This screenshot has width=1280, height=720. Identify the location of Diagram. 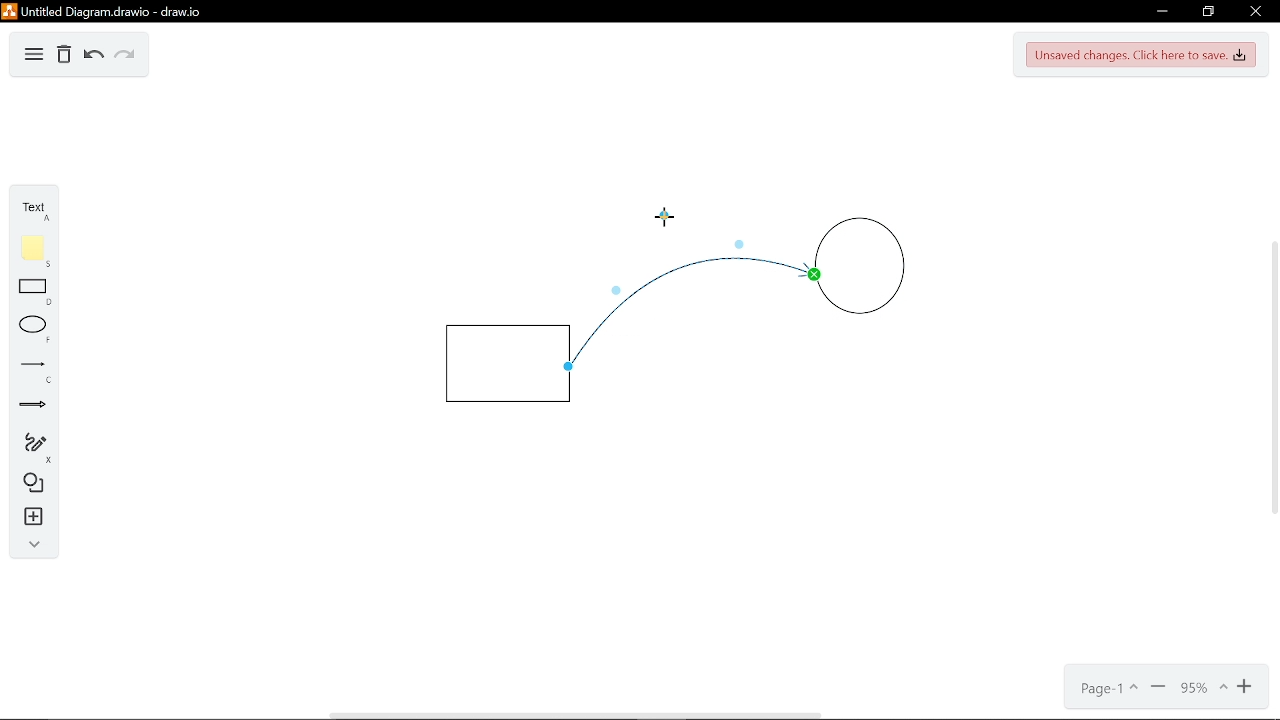
(30, 482).